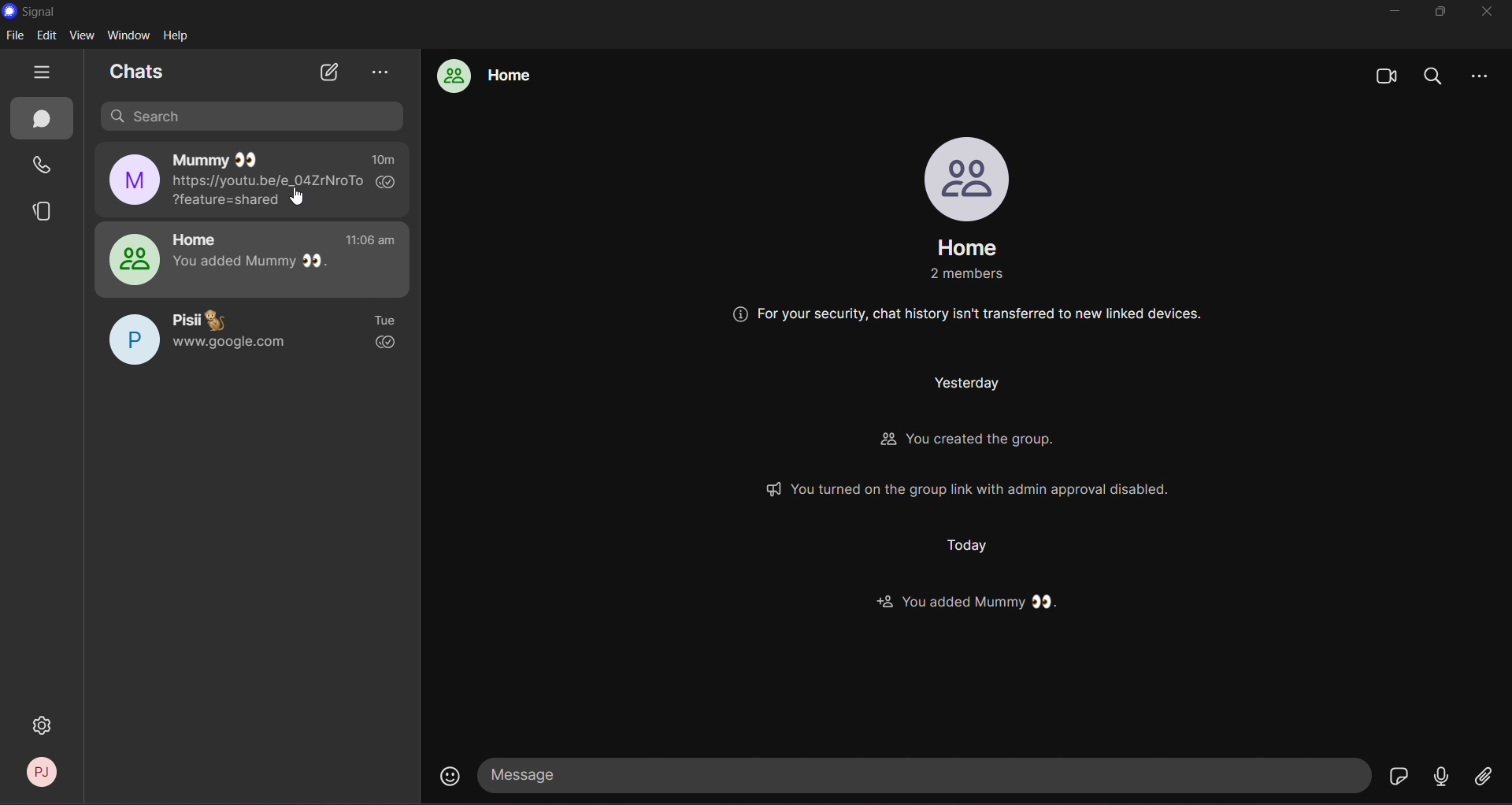 Image resolution: width=1512 pixels, height=805 pixels. What do you see at coordinates (1387, 74) in the screenshot?
I see `video call` at bounding box center [1387, 74].